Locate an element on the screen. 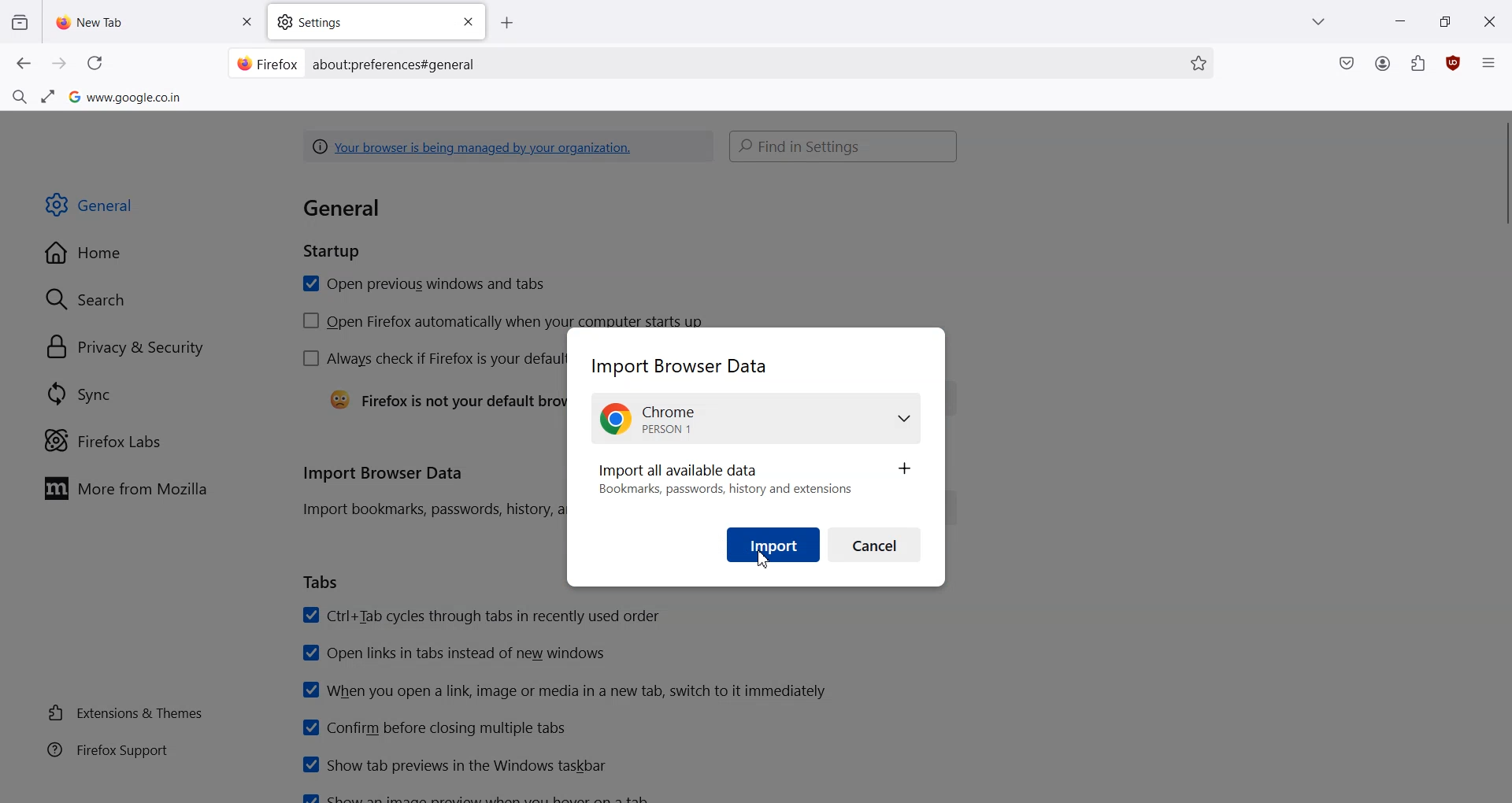 The image size is (1512, 803). Hyperlink is located at coordinates (510, 147).